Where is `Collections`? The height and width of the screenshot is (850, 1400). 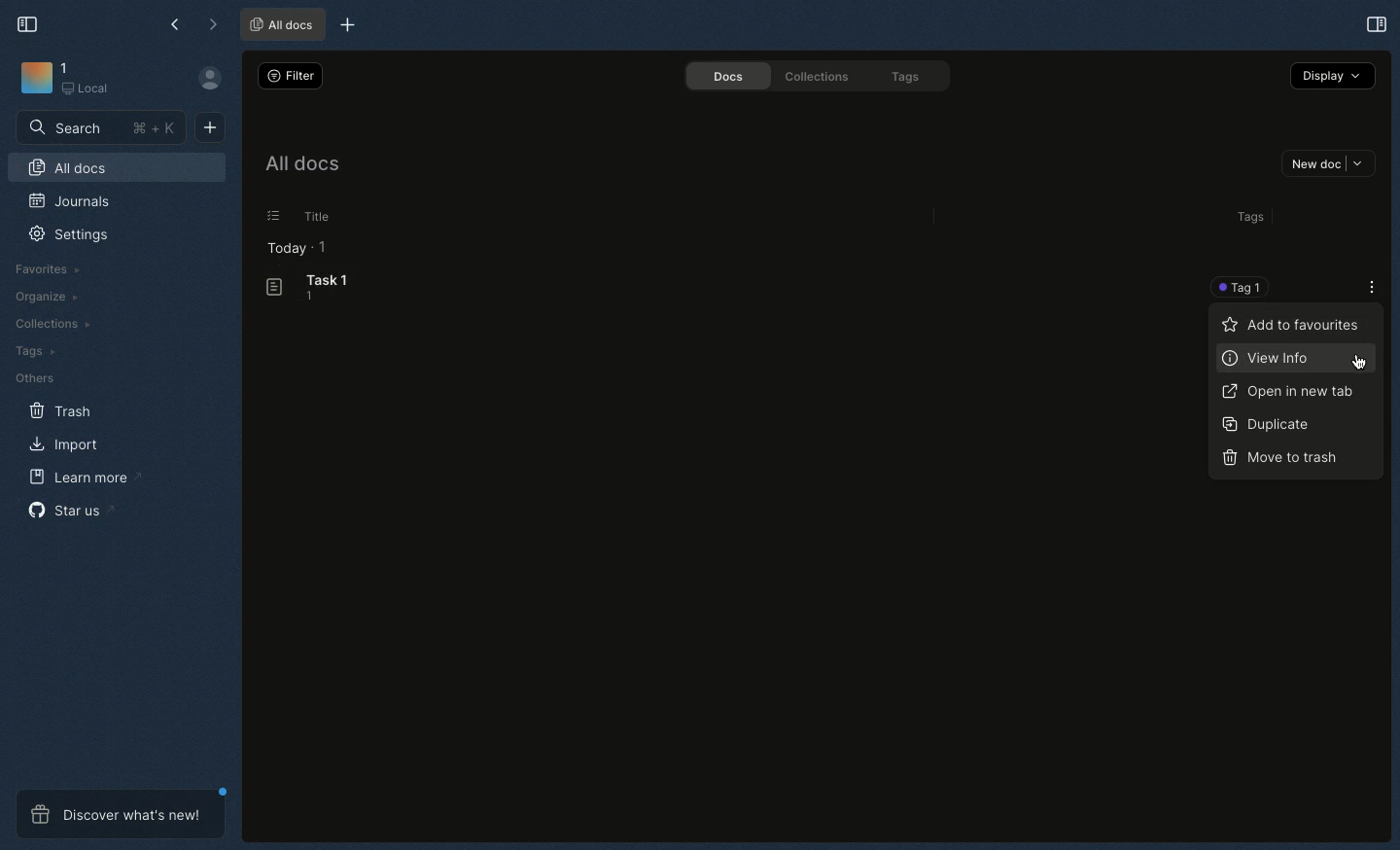 Collections is located at coordinates (52, 323).